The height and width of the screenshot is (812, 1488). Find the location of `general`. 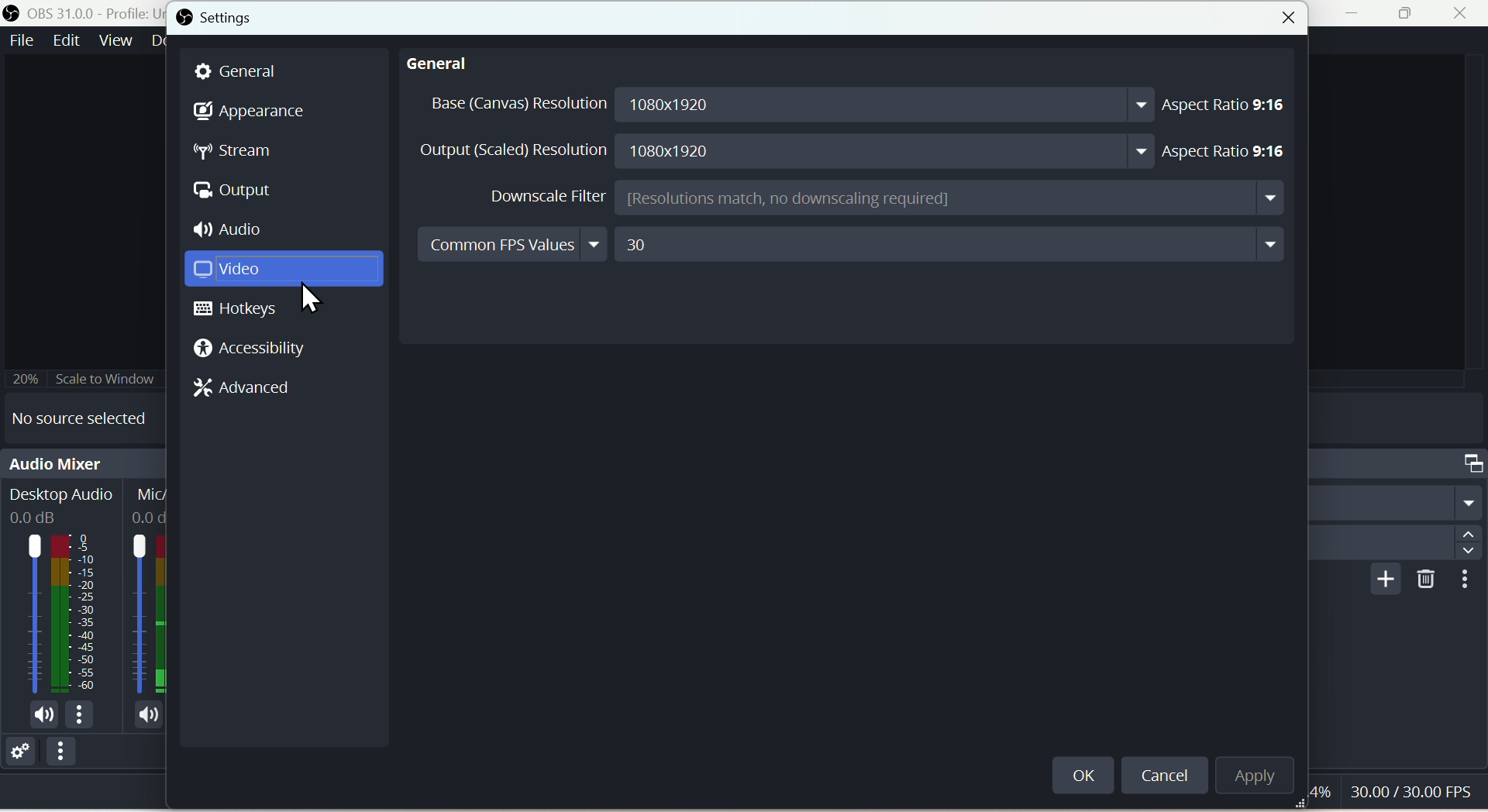

general is located at coordinates (444, 67).